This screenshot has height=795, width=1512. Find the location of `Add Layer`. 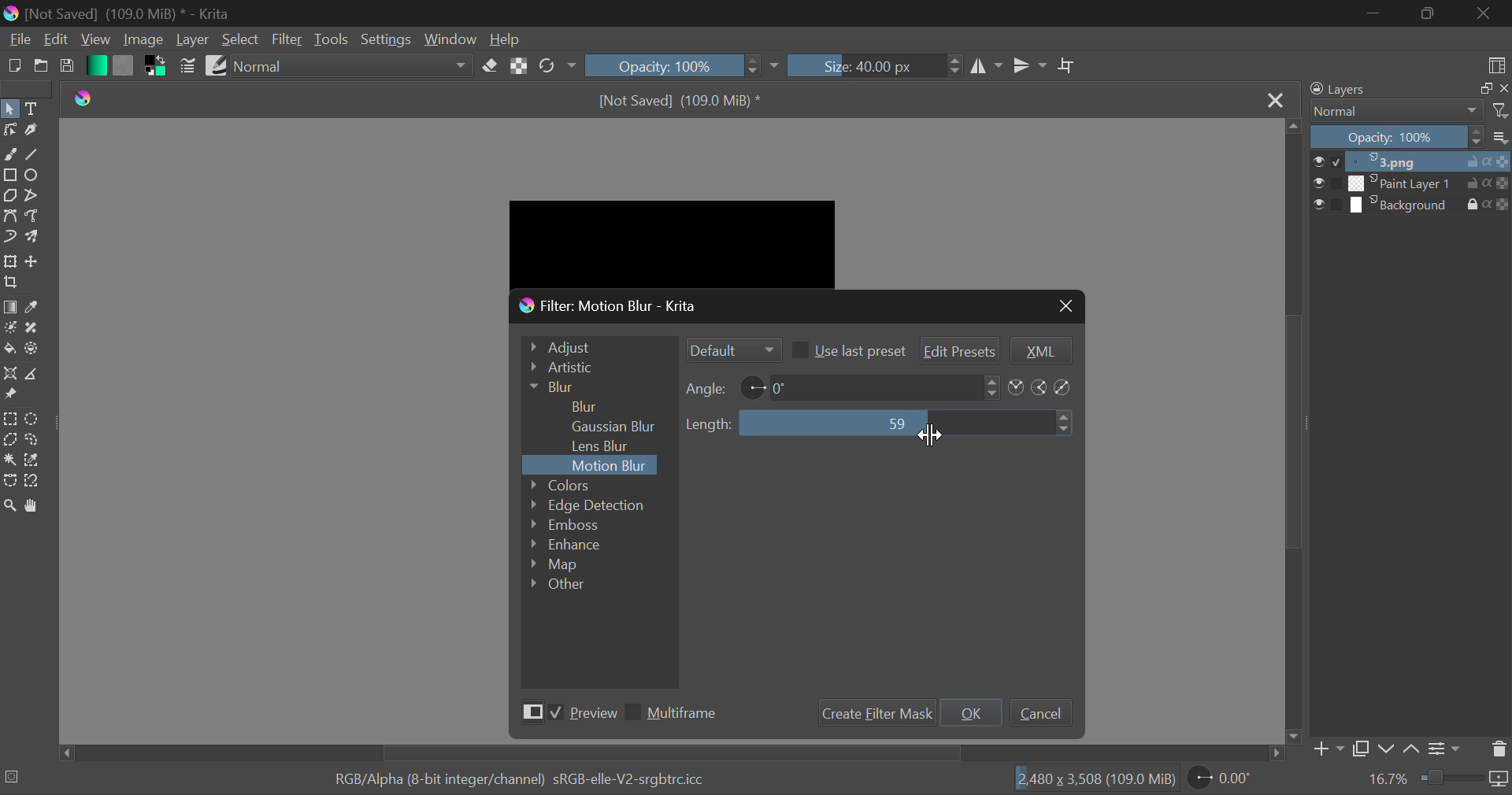

Add Layer is located at coordinates (1328, 749).